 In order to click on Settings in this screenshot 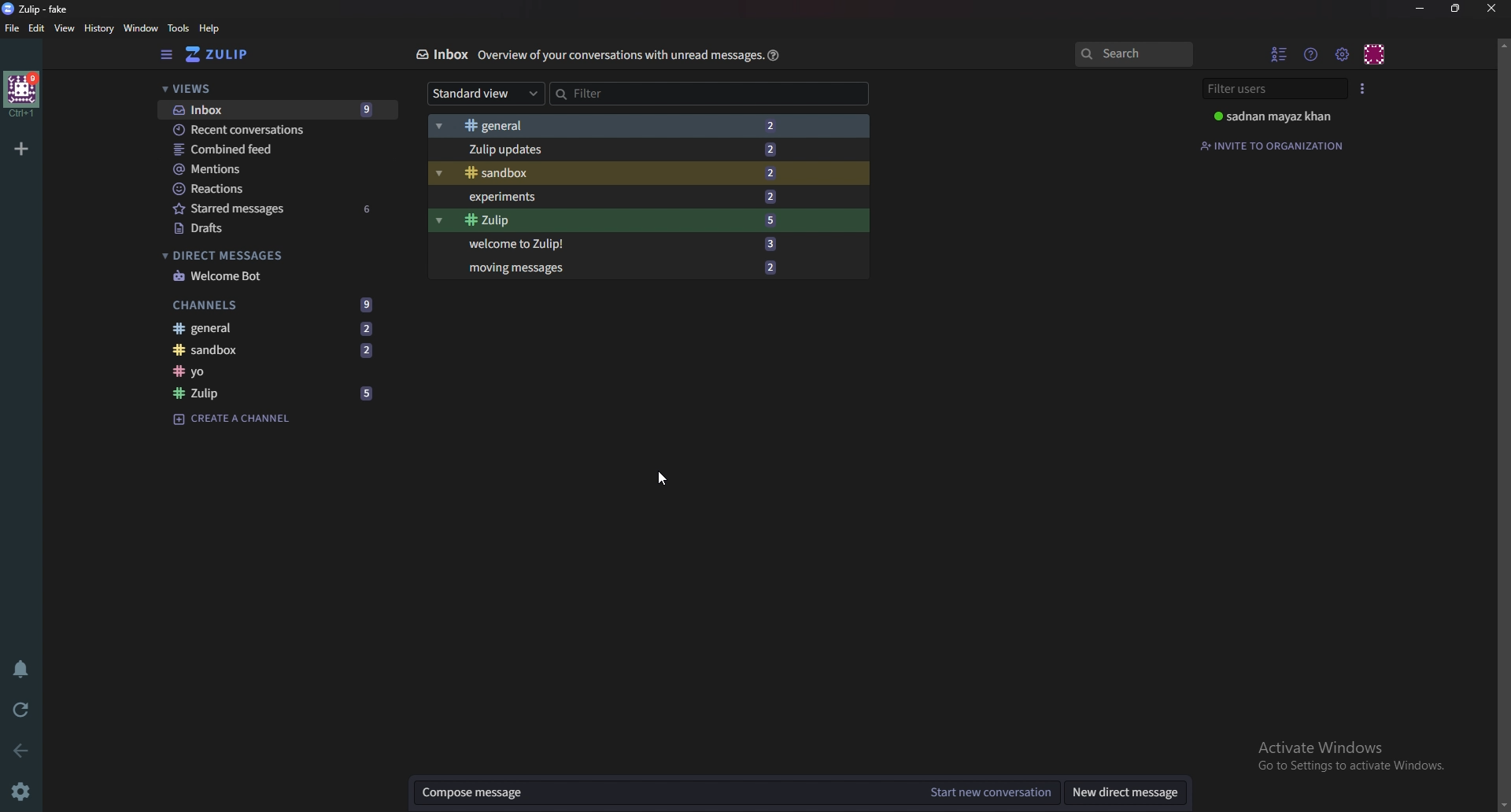, I will do `click(22, 792)`.